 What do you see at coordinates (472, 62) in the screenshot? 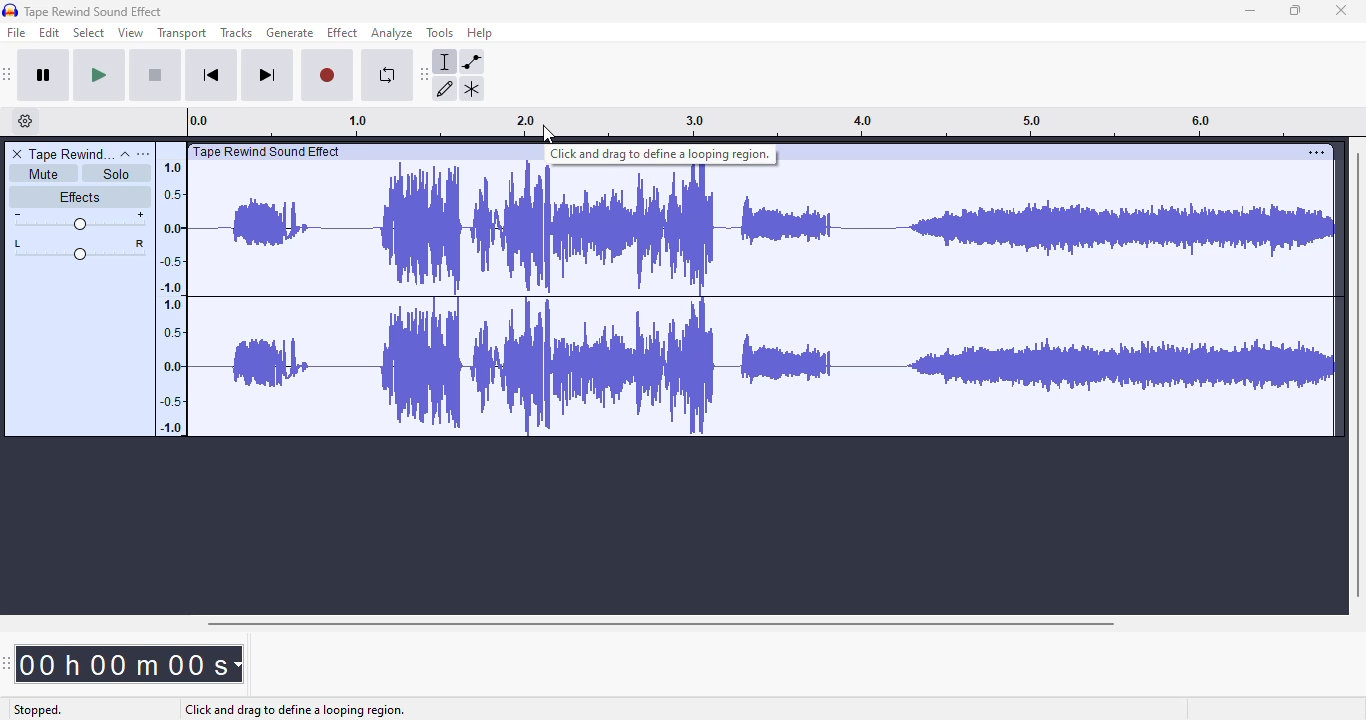
I see `envelope tool` at bounding box center [472, 62].